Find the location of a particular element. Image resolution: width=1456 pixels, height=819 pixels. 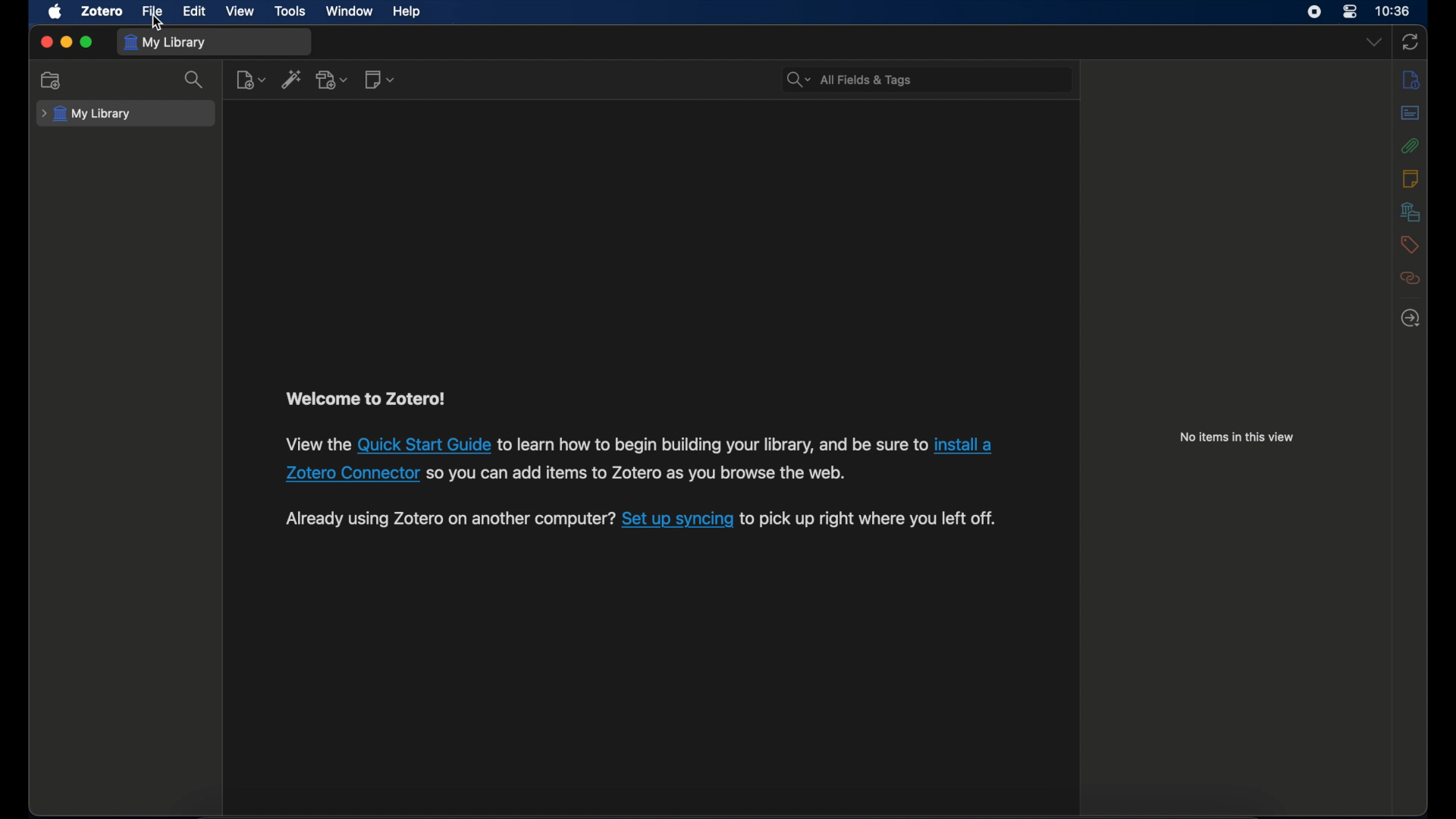

edit is located at coordinates (197, 11).